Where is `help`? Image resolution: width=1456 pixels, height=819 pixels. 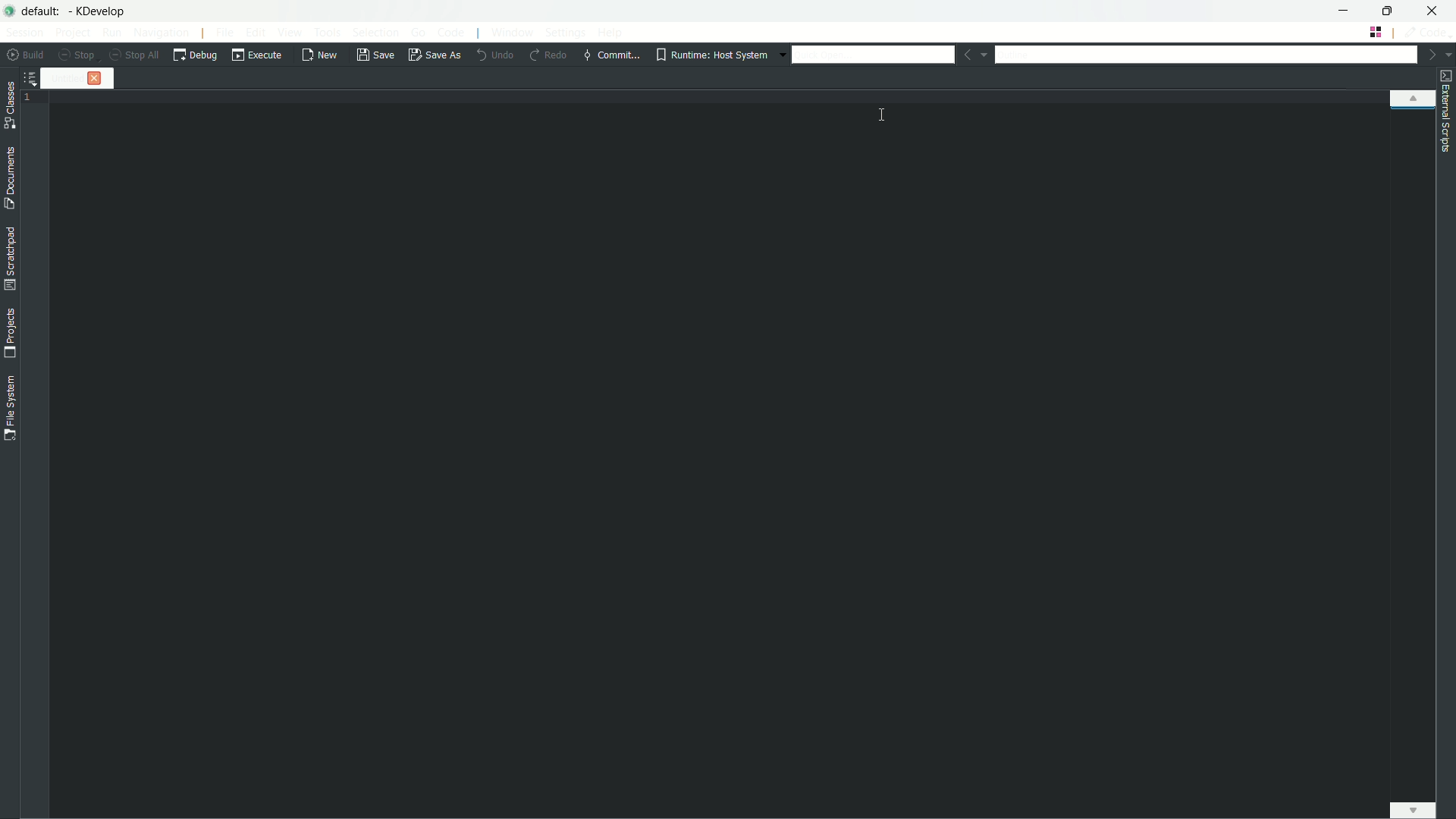
help is located at coordinates (610, 32).